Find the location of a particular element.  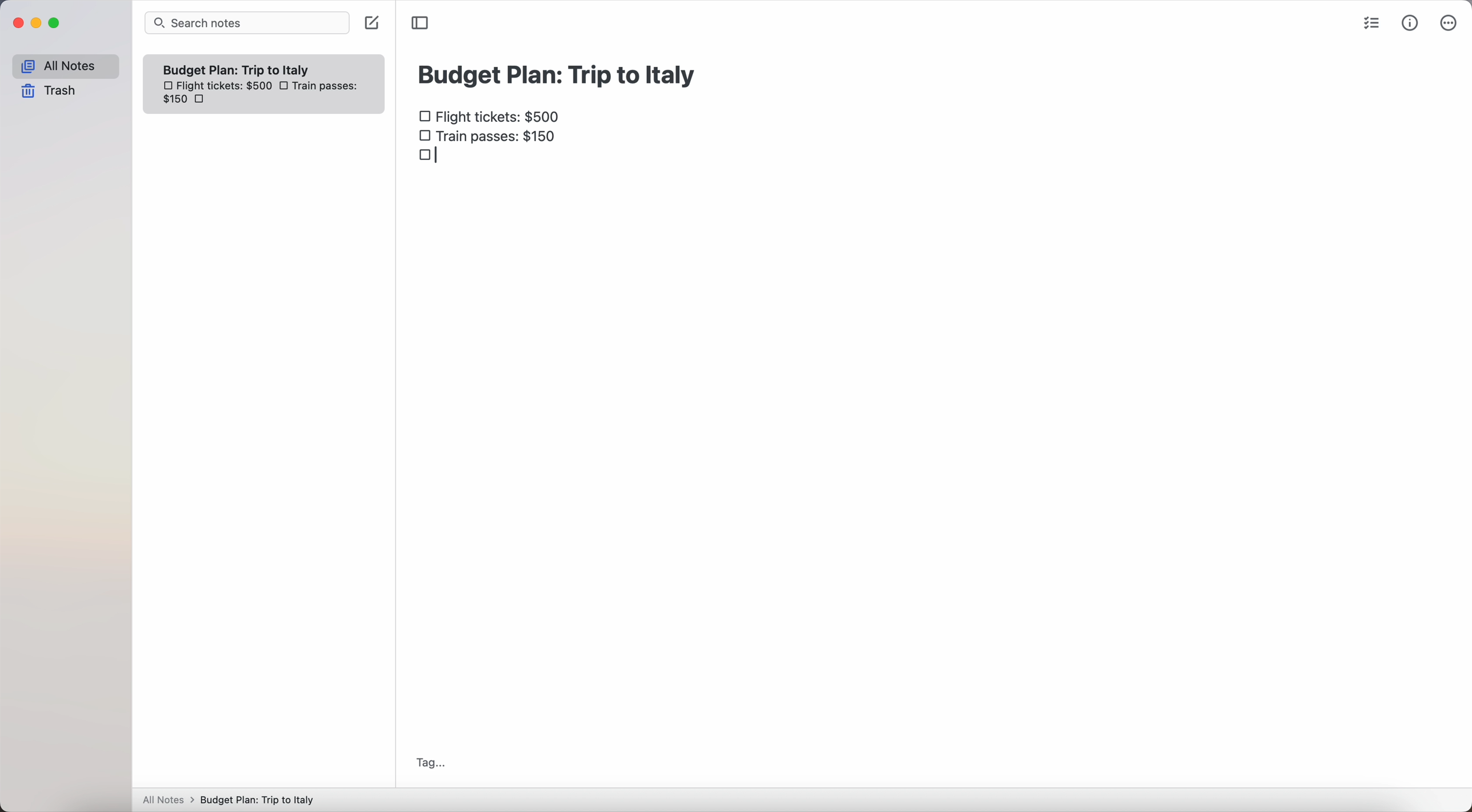

flight tickets: $500 is located at coordinates (217, 87).